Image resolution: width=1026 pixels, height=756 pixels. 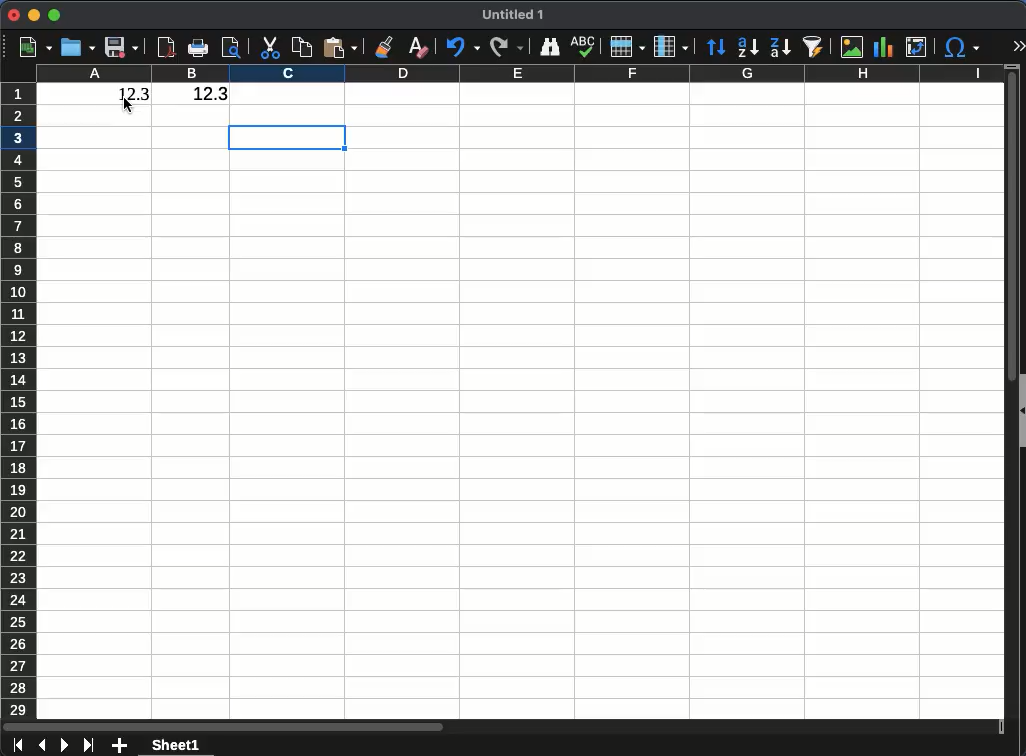 What do you see at coordinates (519, 72) in the screenshot?
I see `column ` at bounding box center [519, 72].